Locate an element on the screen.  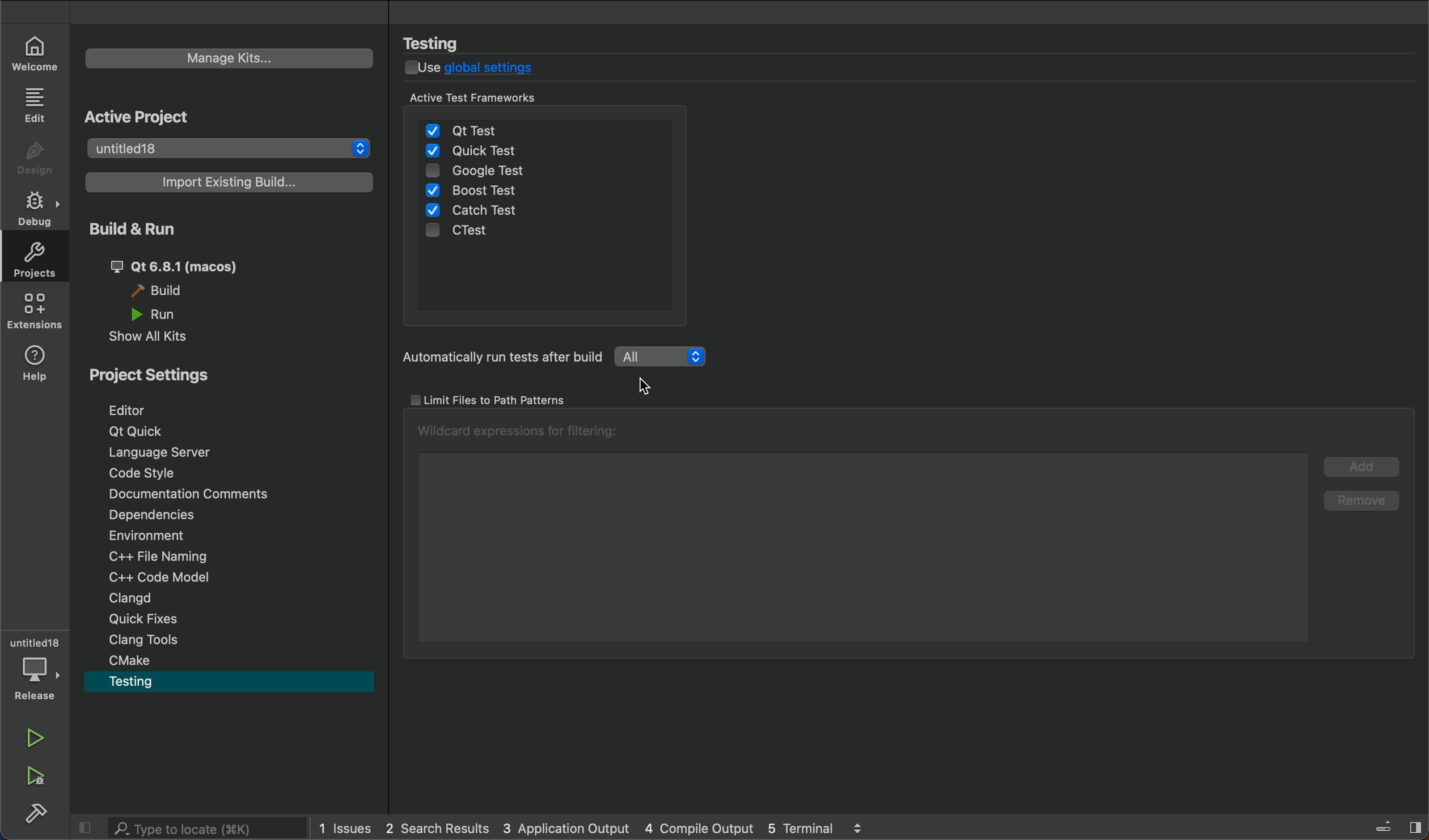
untitled 18 is located at coordinates (225, 150).